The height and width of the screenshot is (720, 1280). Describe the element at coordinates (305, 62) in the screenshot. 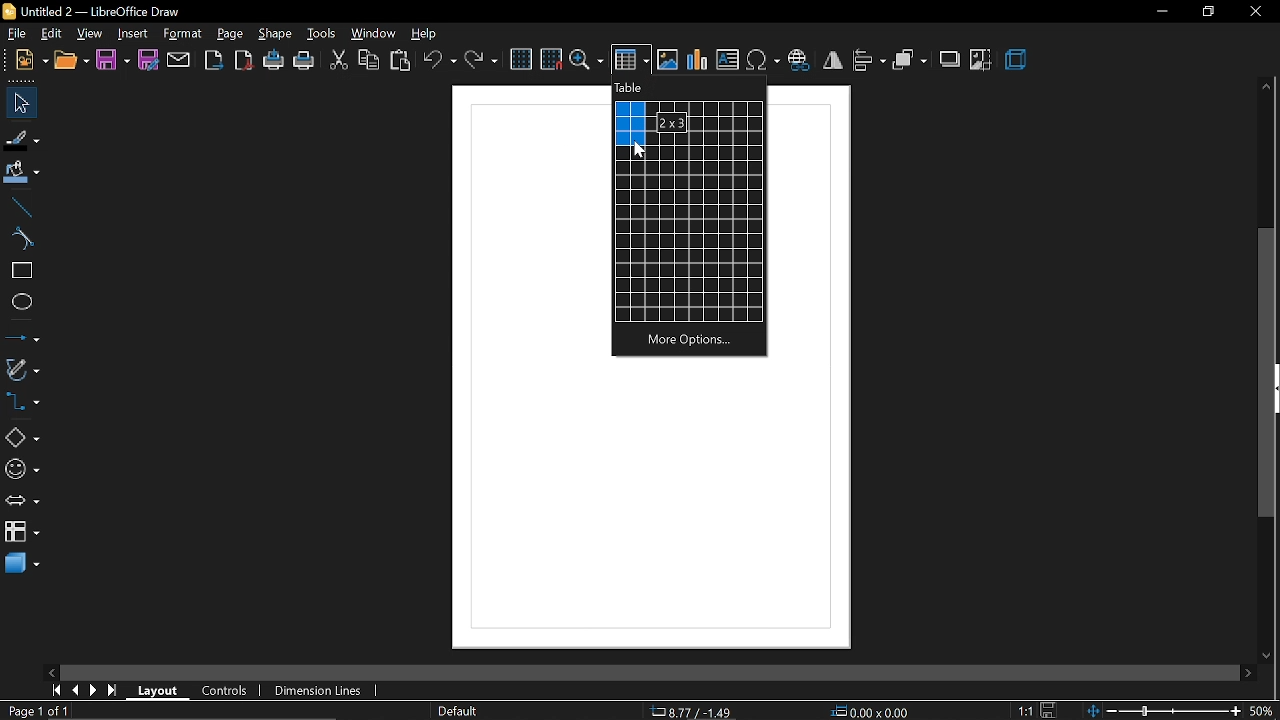

I see `print` at that location.